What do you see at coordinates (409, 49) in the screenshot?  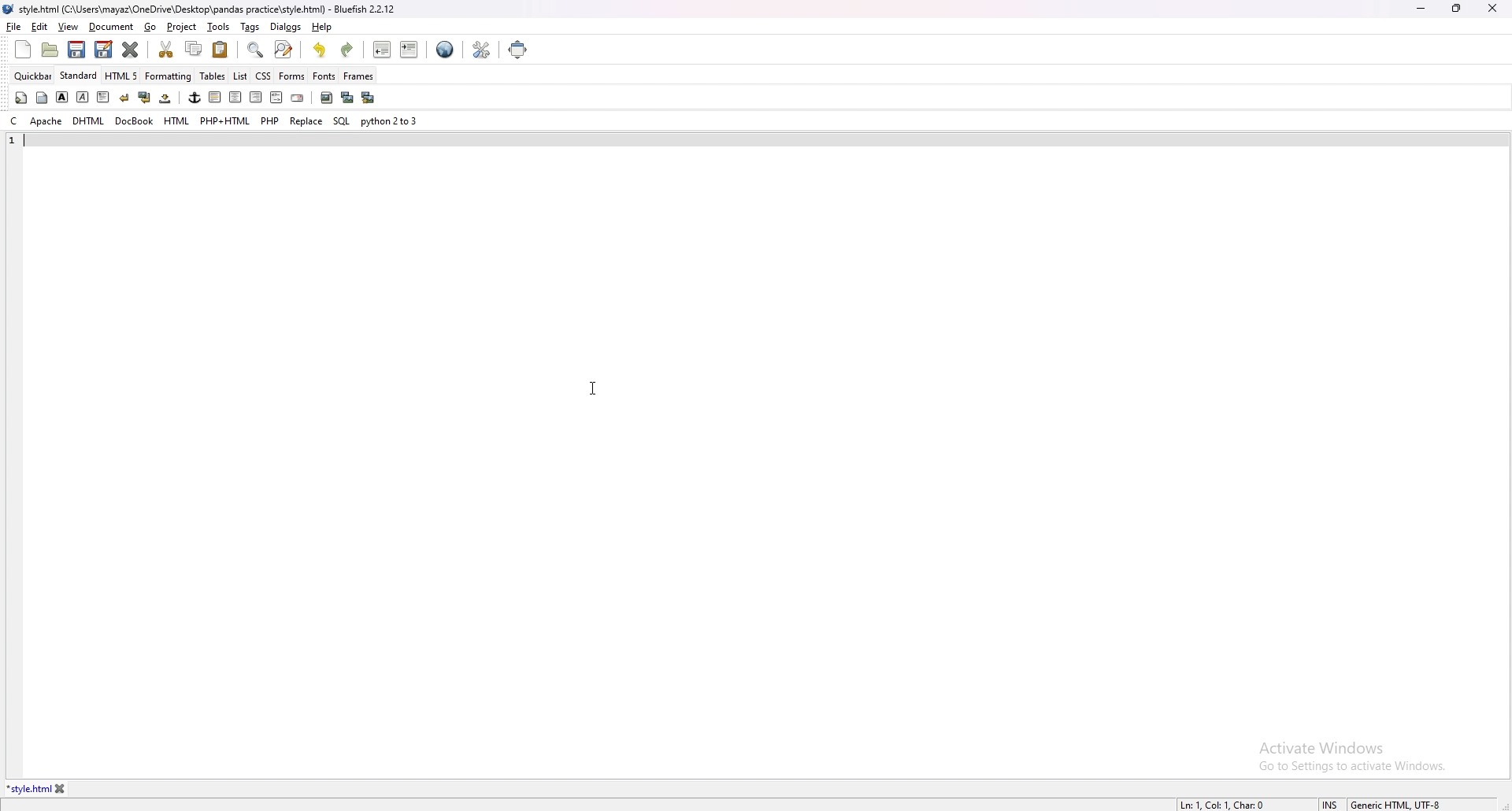 I see `indent` at bounding box center [409, 49].